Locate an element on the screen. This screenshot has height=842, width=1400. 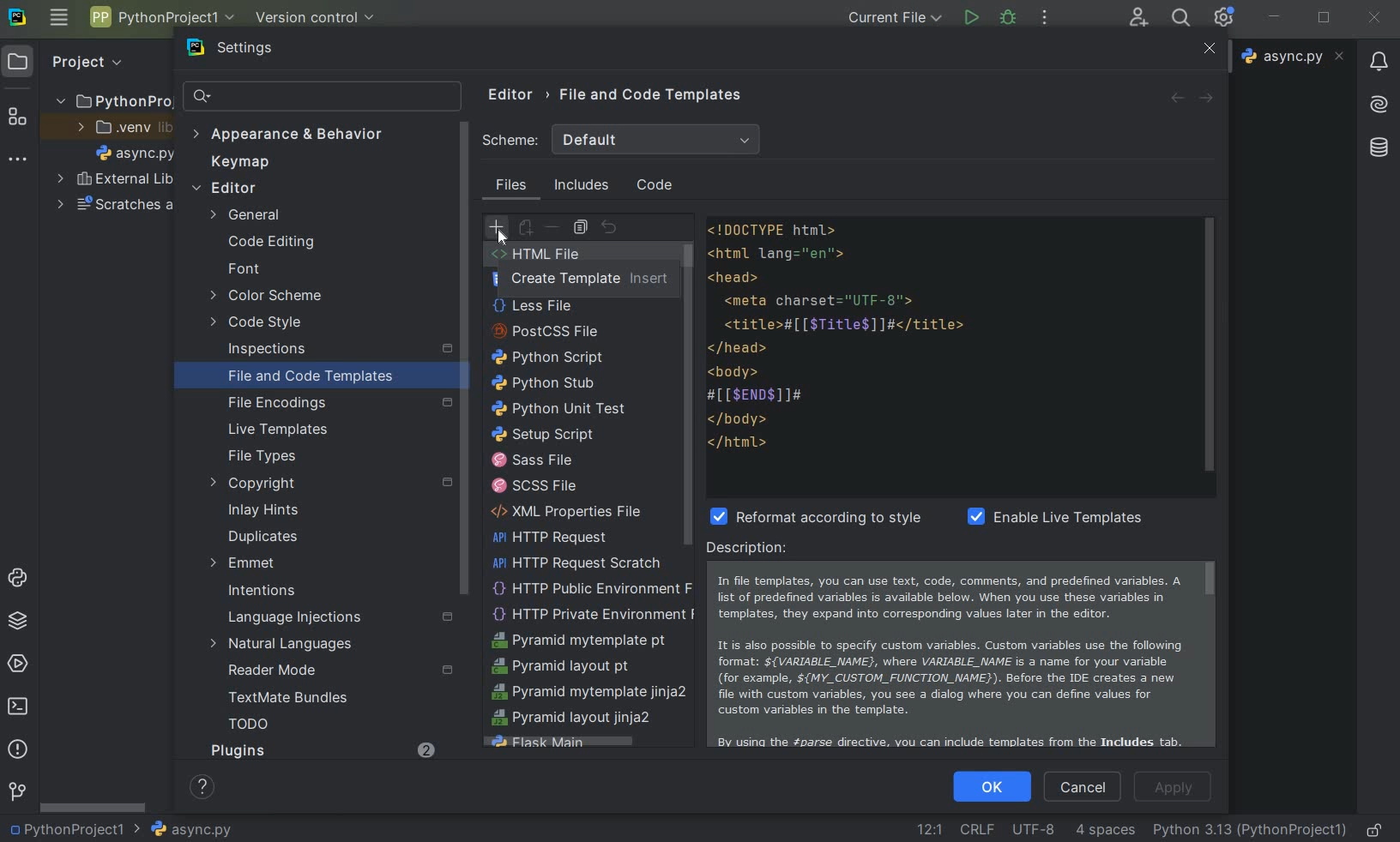
search settings is located at coordinates (323, 96).